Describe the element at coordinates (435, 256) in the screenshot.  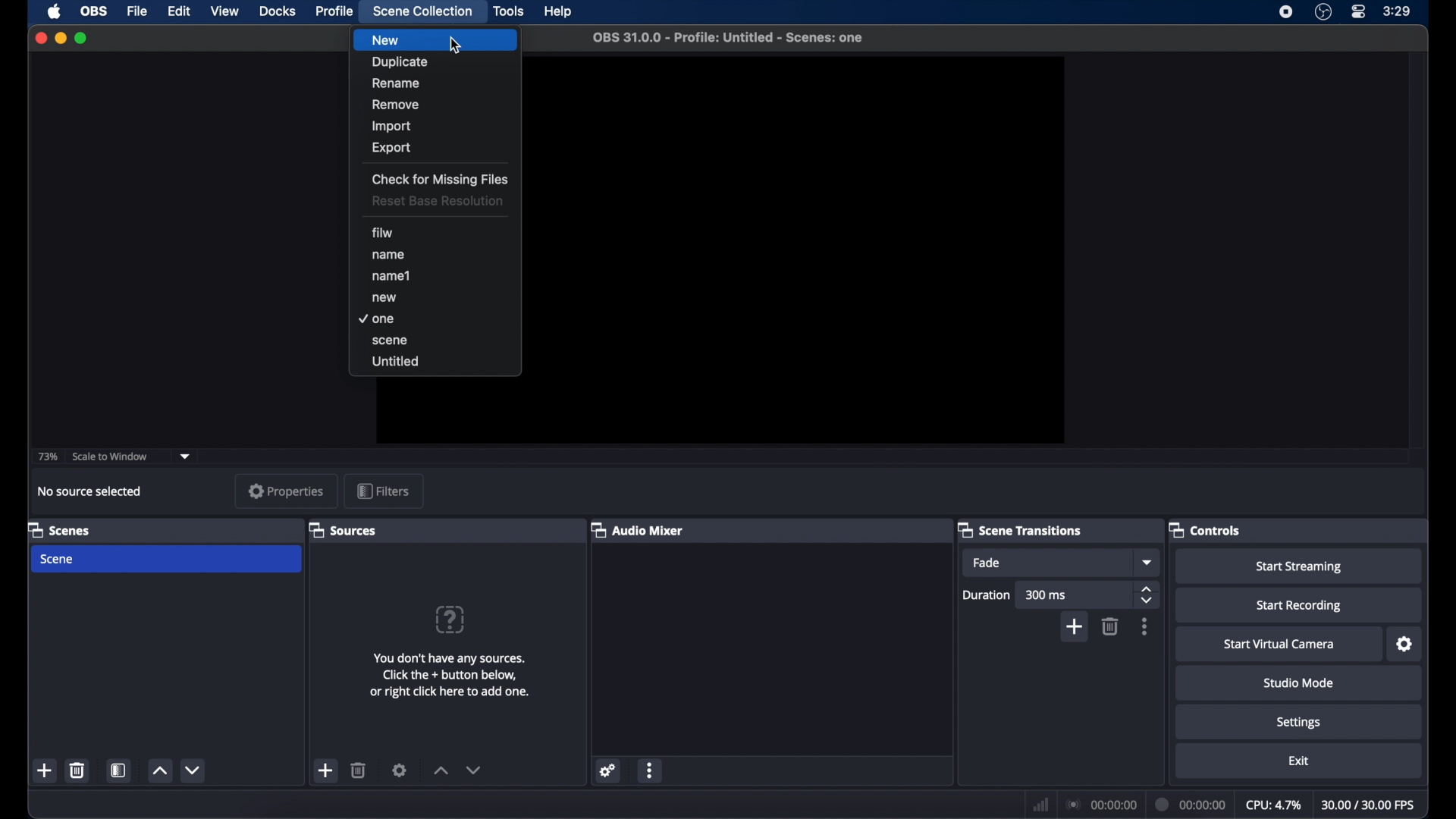
I see `name` at that location.